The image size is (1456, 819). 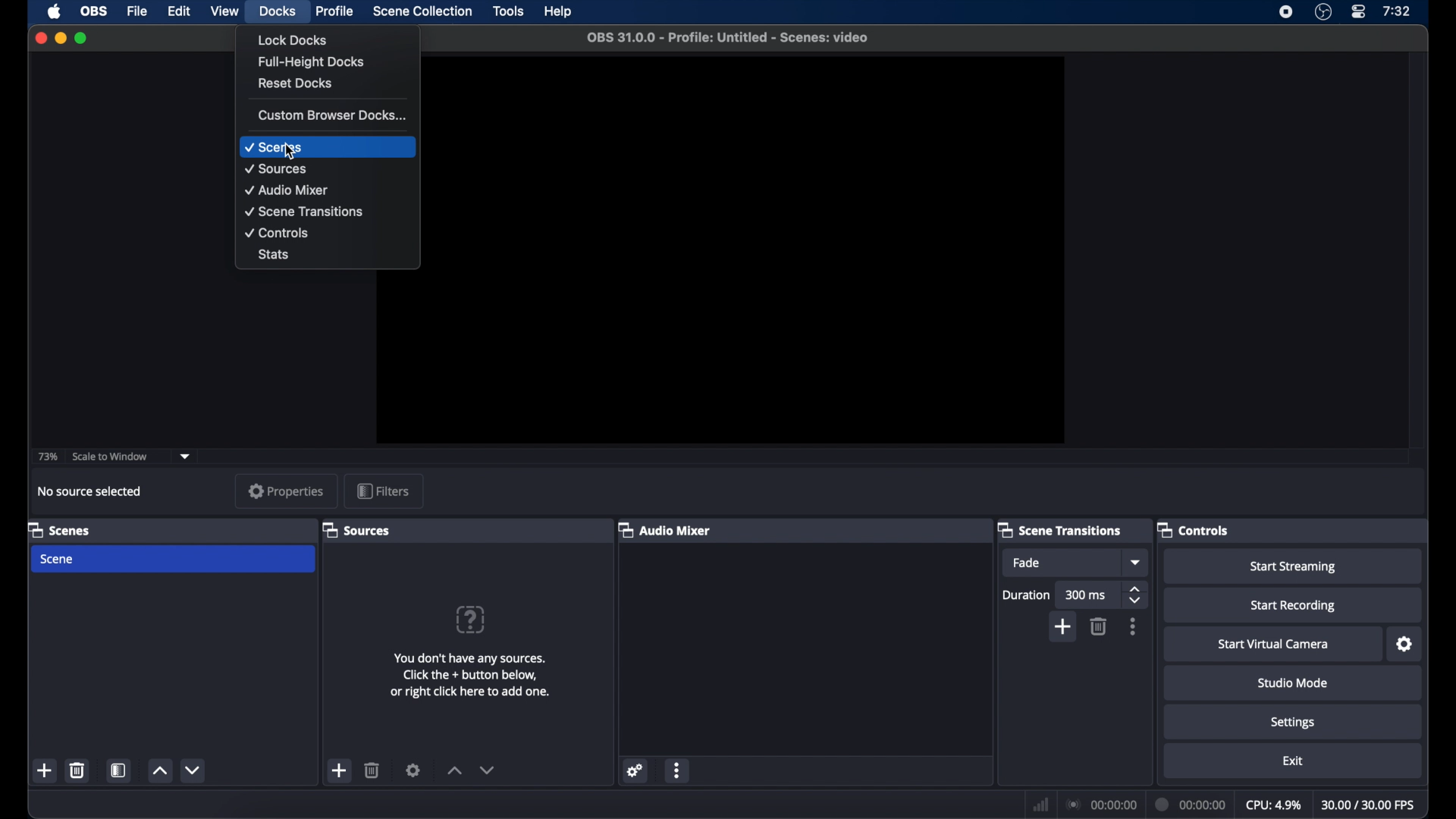 I want to click on increment, so click(x=159, y=771).